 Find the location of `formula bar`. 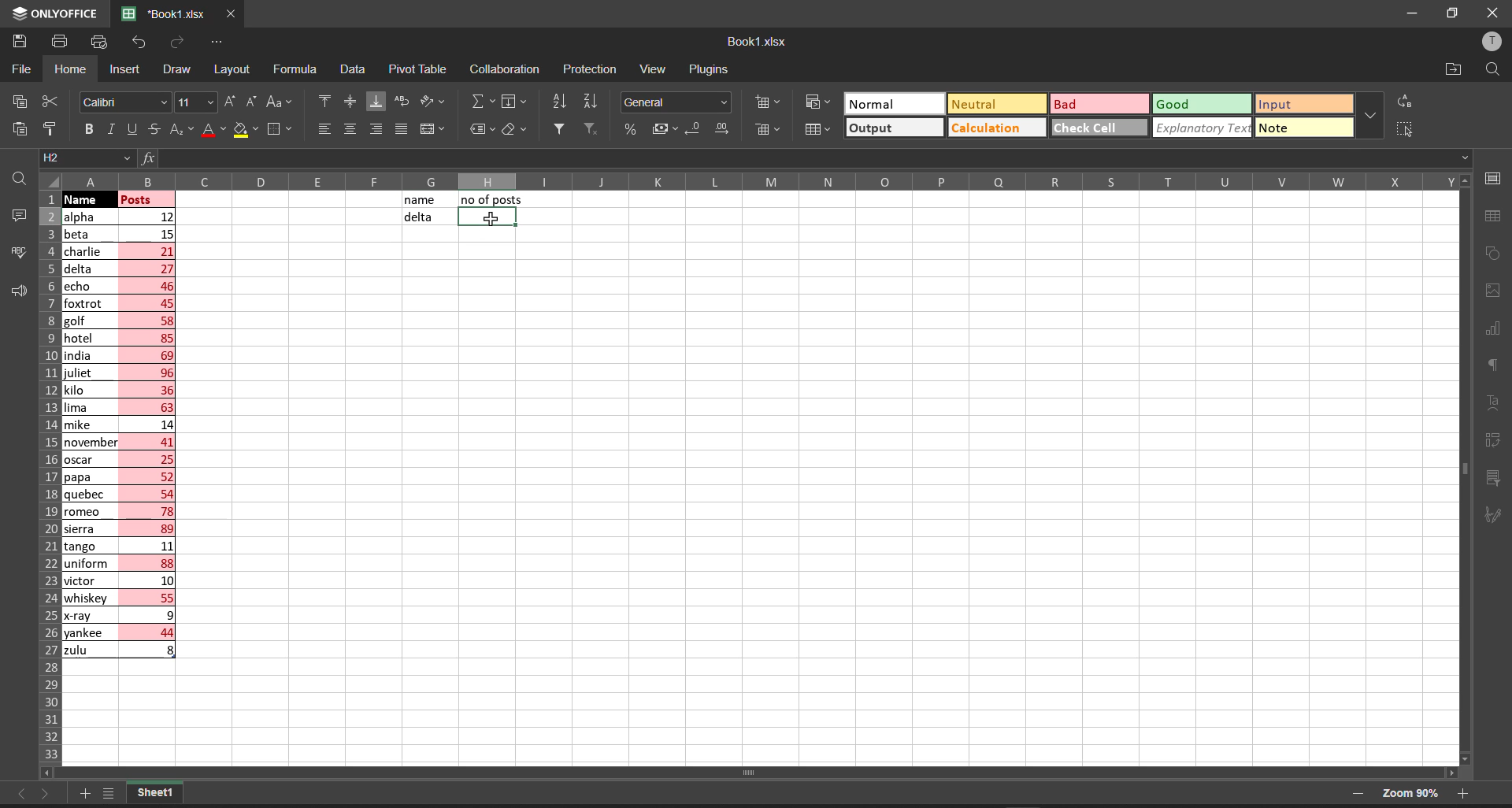

formula bar is located at coordinates (833, 158).